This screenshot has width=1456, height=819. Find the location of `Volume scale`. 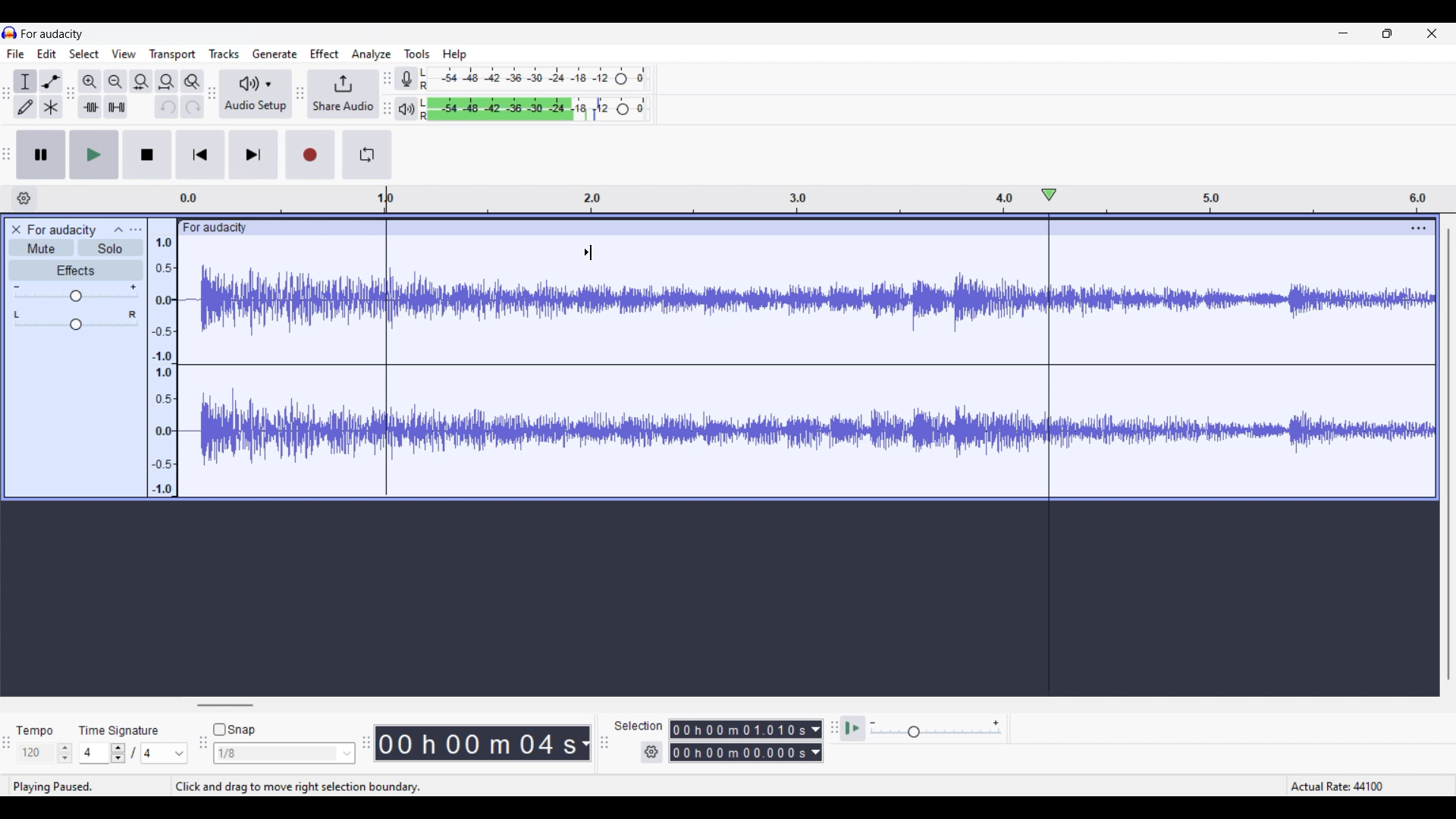

Volume scale is located at coordinates (74, 293).